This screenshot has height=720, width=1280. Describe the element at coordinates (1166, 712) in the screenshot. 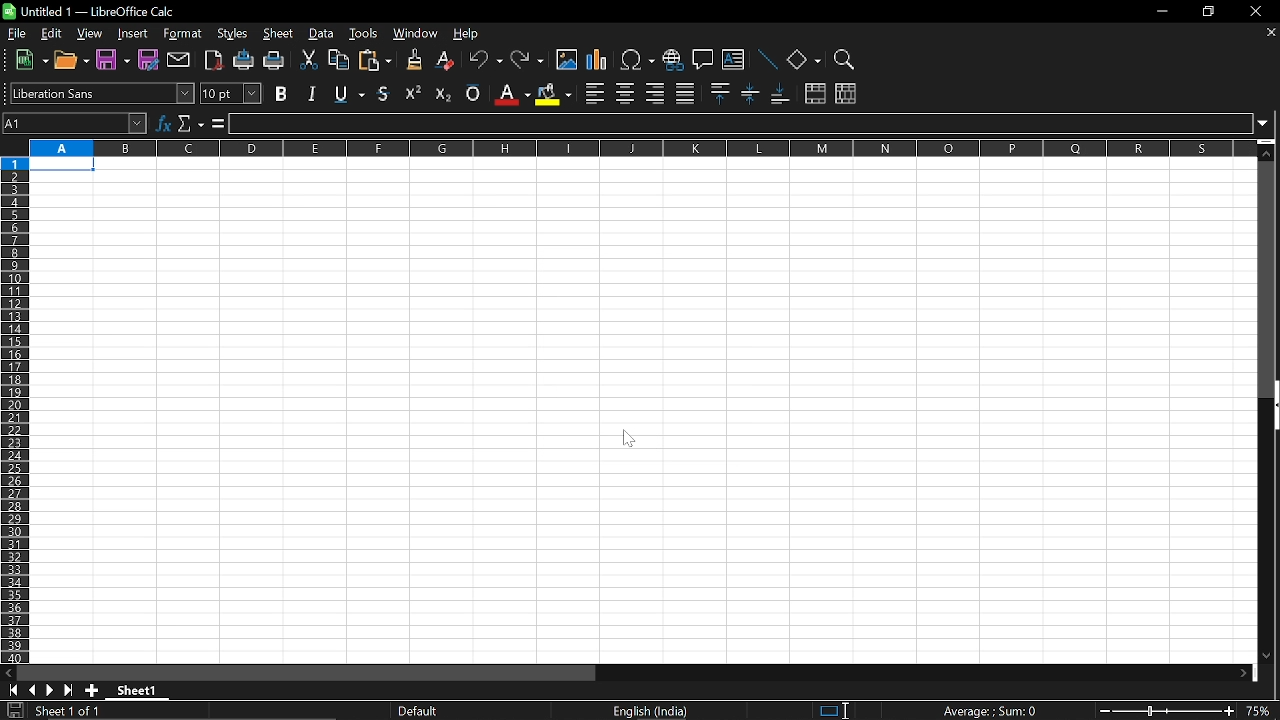

I see `change zoom` at that location.